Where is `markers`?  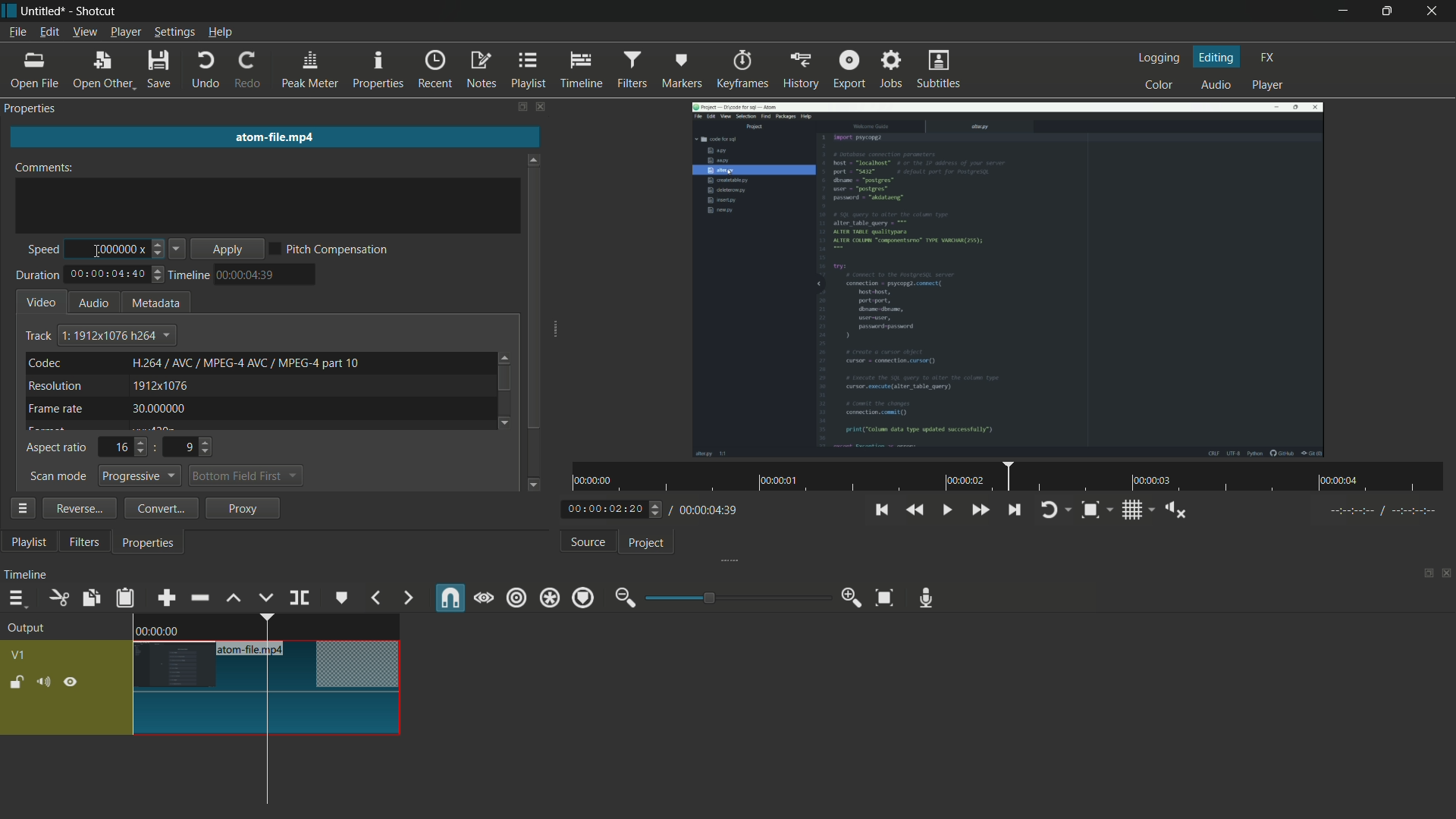 markers is located at coordinates (683, 71).